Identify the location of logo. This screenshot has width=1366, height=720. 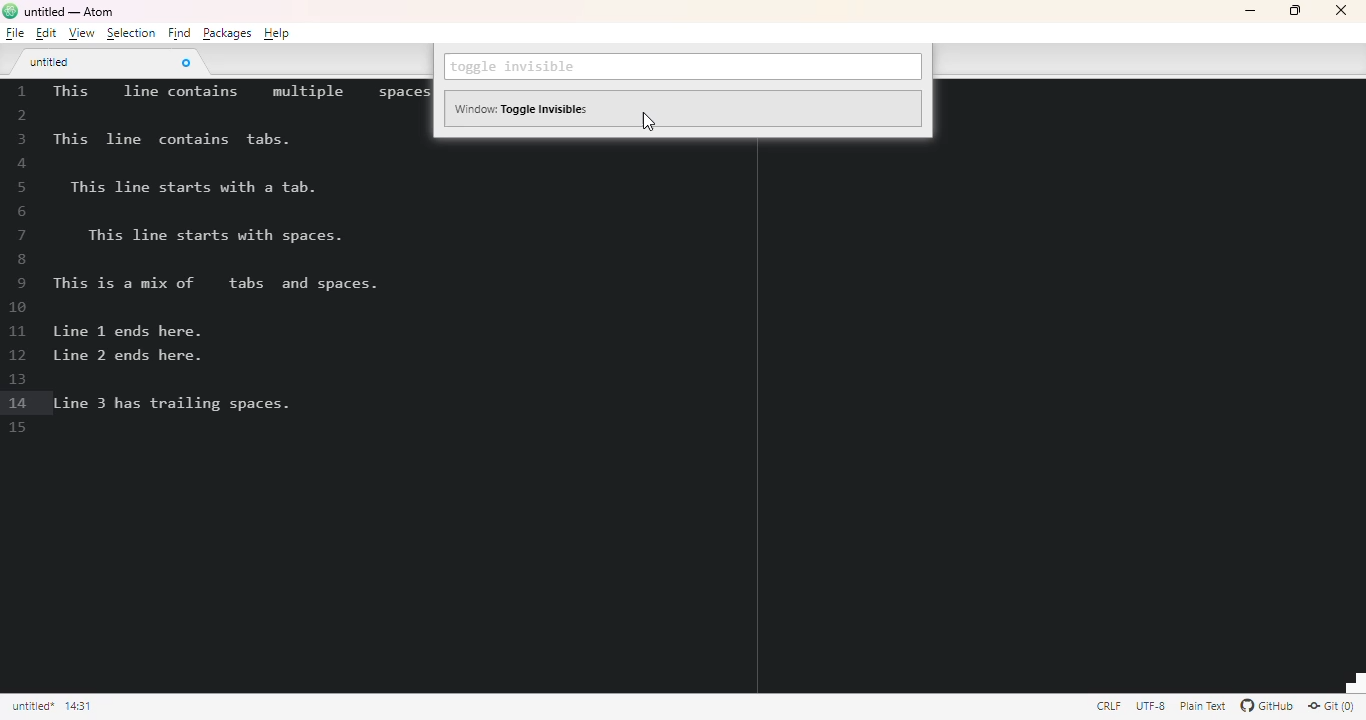
(10, 10).